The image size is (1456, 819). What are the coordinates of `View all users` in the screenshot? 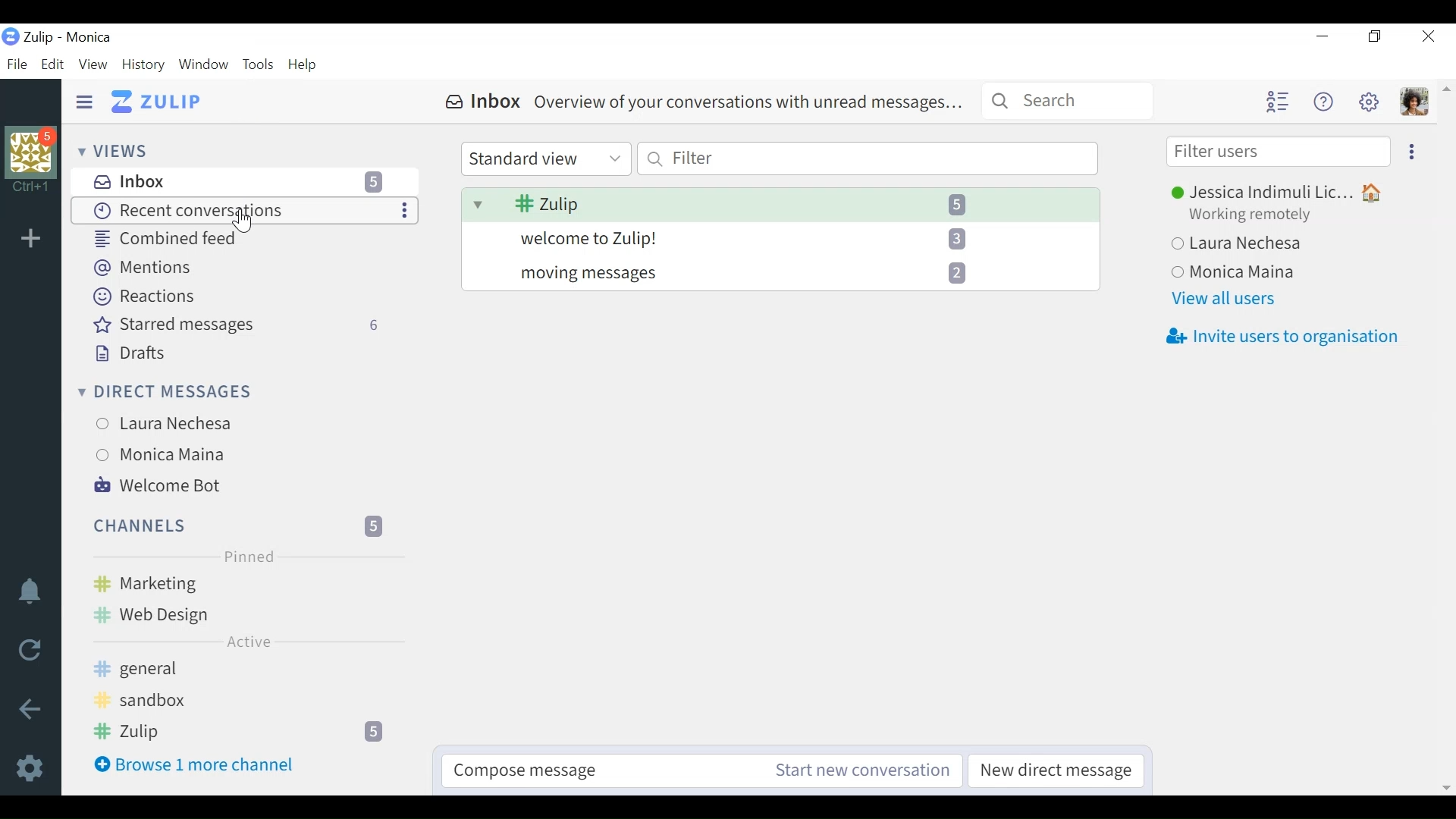 It's located at (1230, 302).